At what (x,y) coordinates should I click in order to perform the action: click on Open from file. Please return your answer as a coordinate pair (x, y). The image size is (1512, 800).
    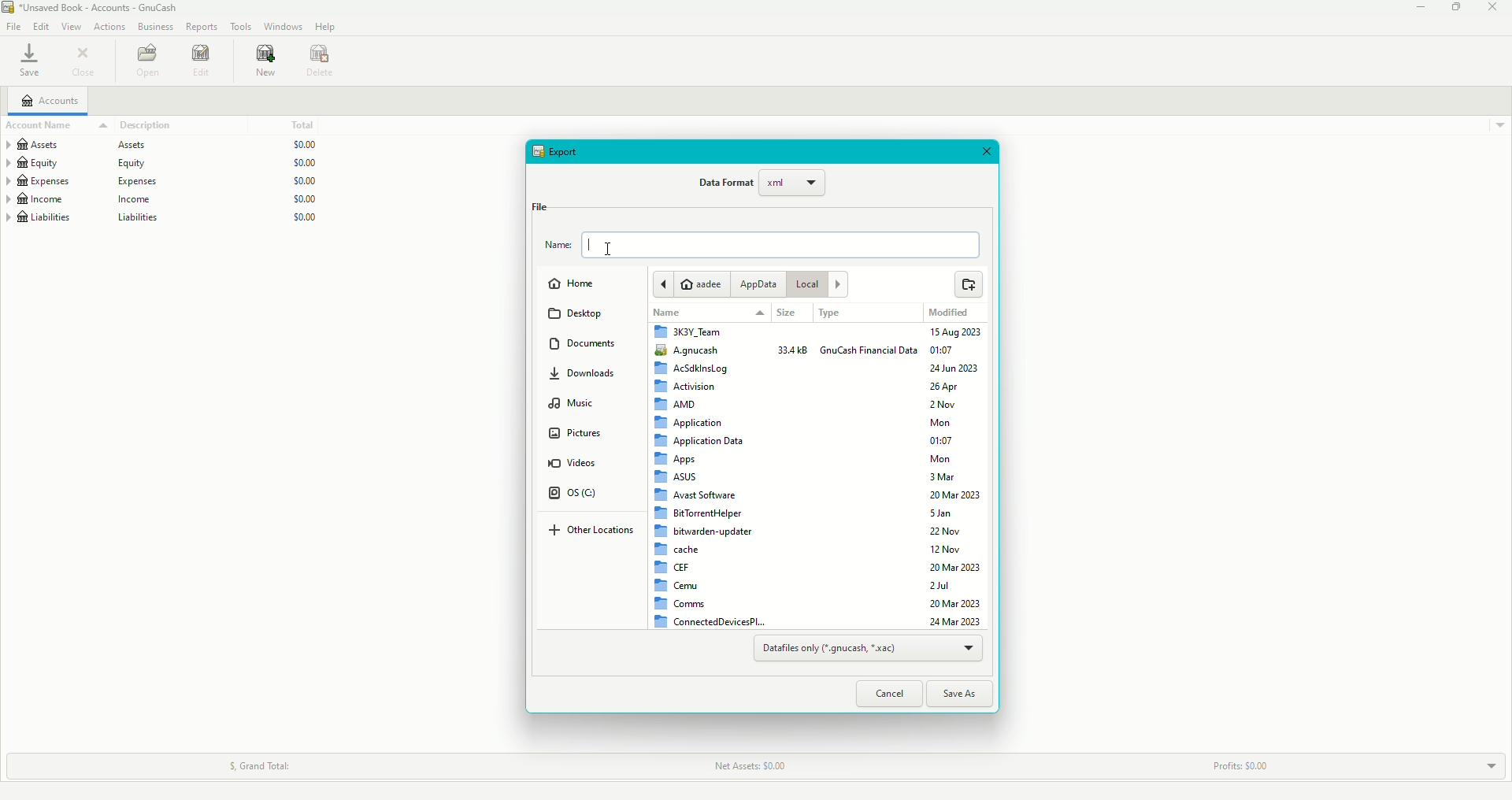
    Looking at the image, I should click on (967, 285).